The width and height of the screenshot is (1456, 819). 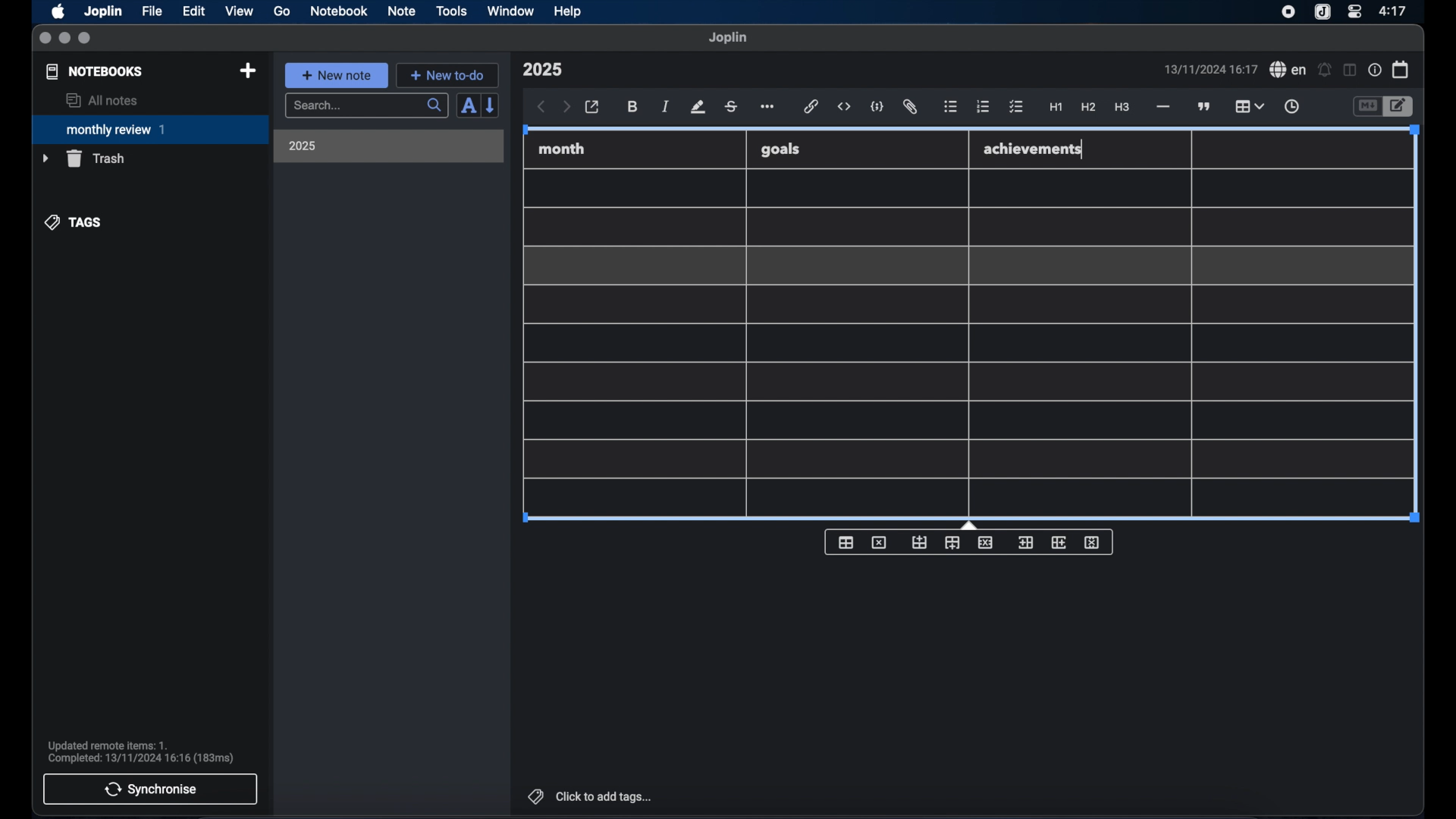 What do you see at coordinates (1122, 108) in the screenshot?
I see `heading 3` at bounding box center [1122, 108].